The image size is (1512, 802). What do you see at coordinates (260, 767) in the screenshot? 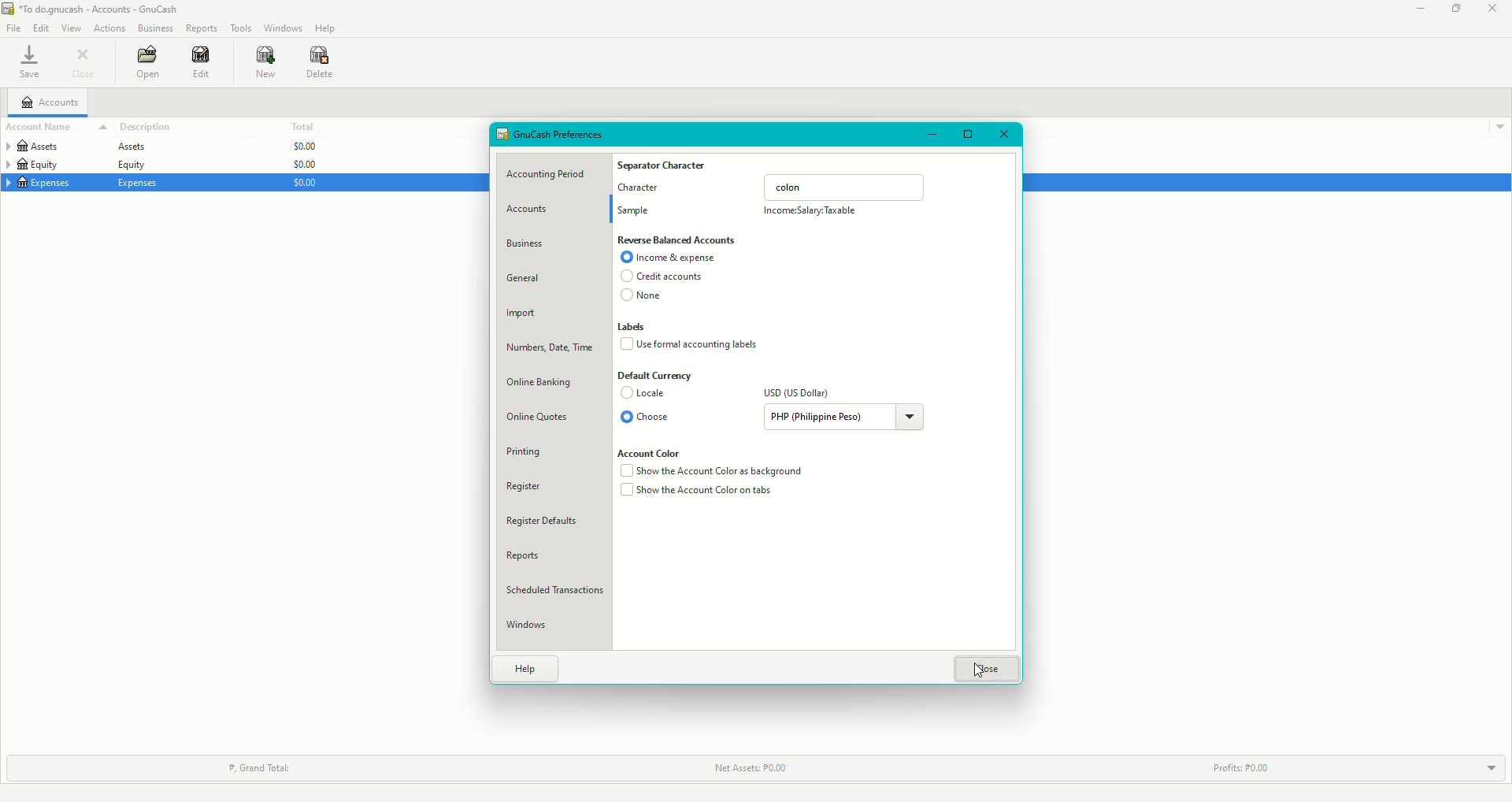
I see `Grand Total` at bounding box center [260, 767].